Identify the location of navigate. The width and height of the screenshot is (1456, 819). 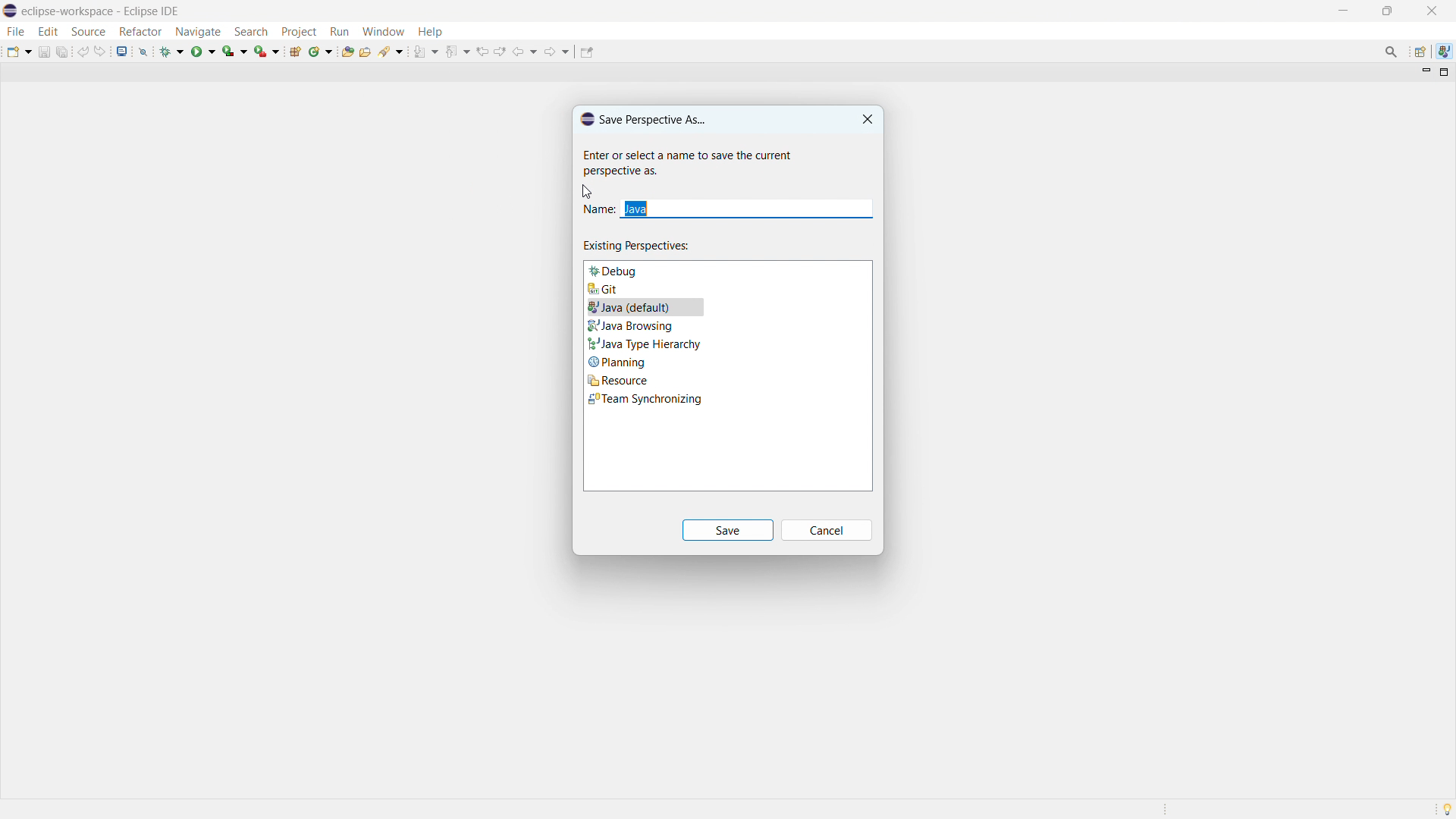
(198, 31).